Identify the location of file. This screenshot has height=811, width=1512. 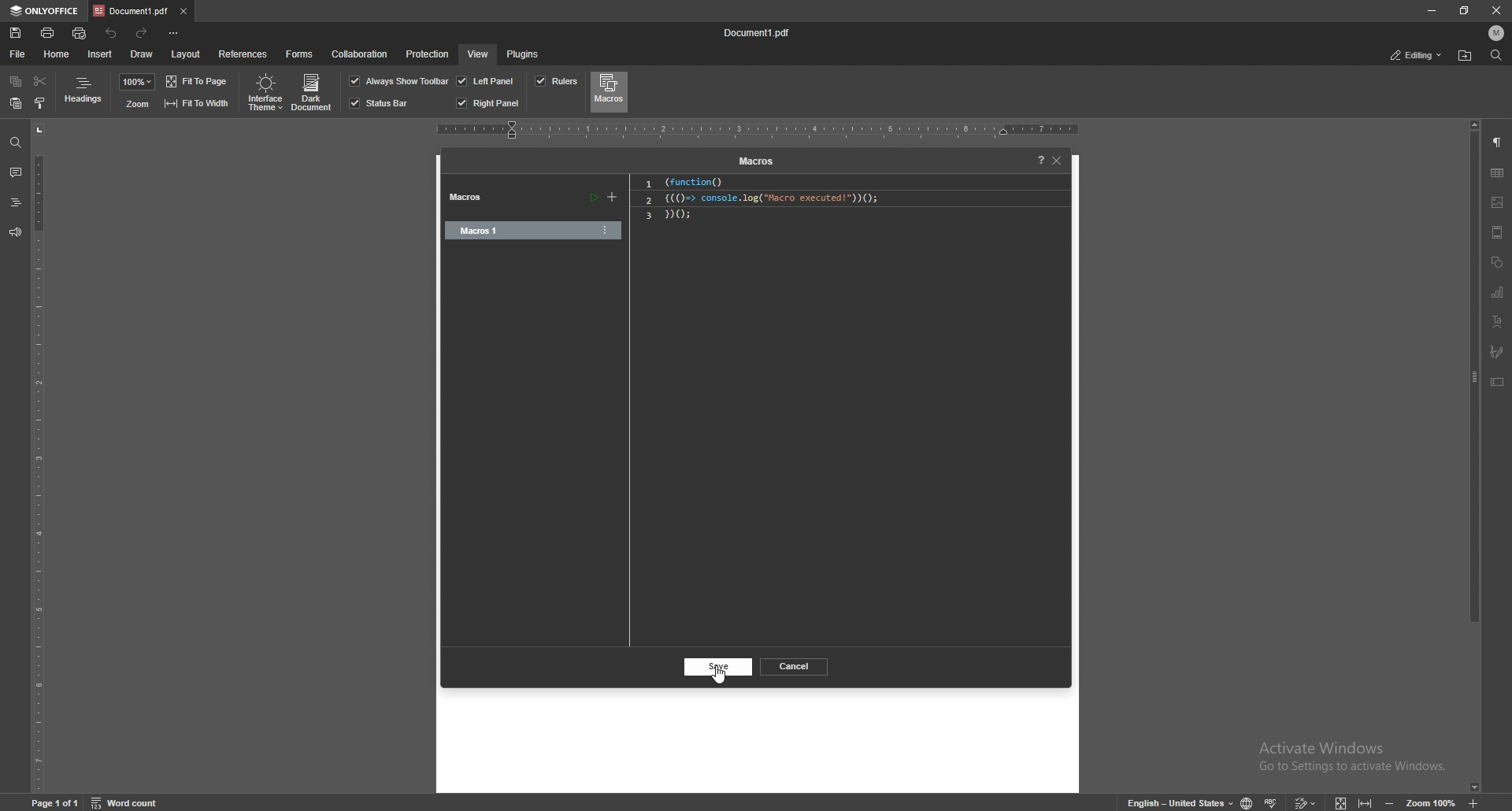
(18, 54).